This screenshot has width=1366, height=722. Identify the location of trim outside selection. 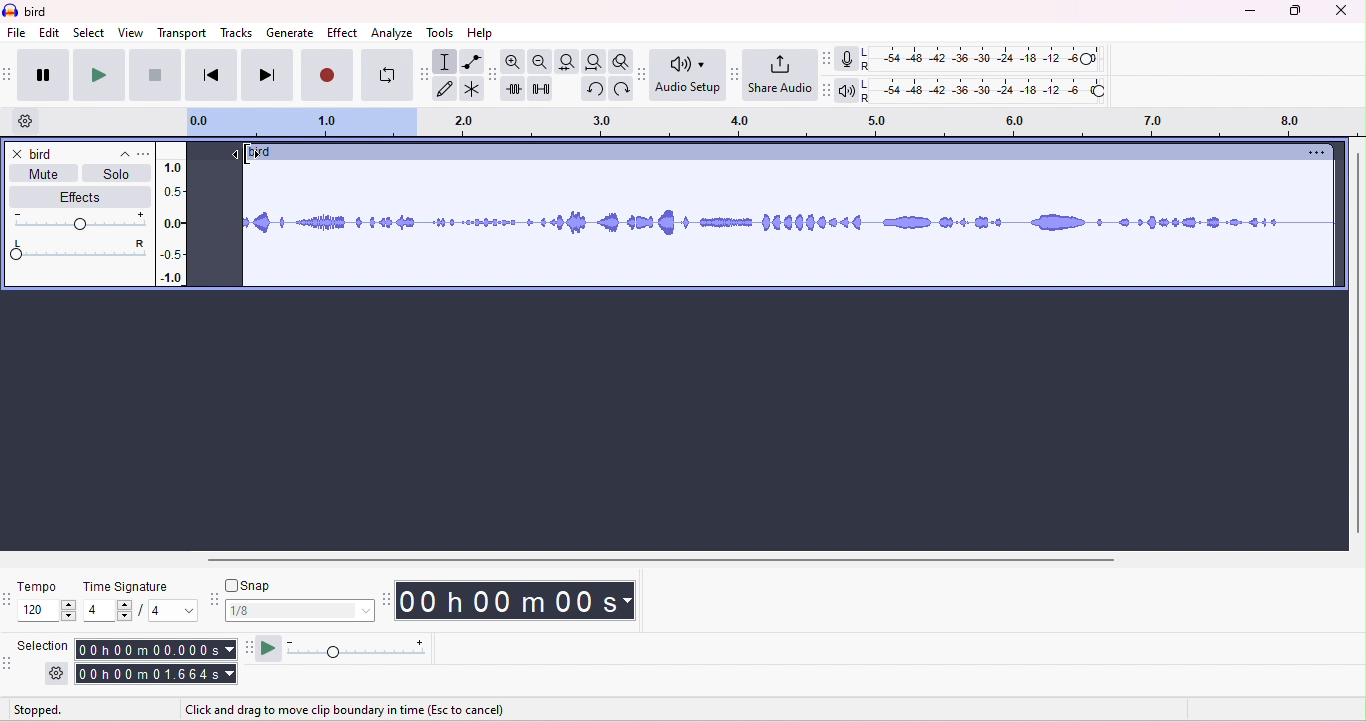
(515, 90).